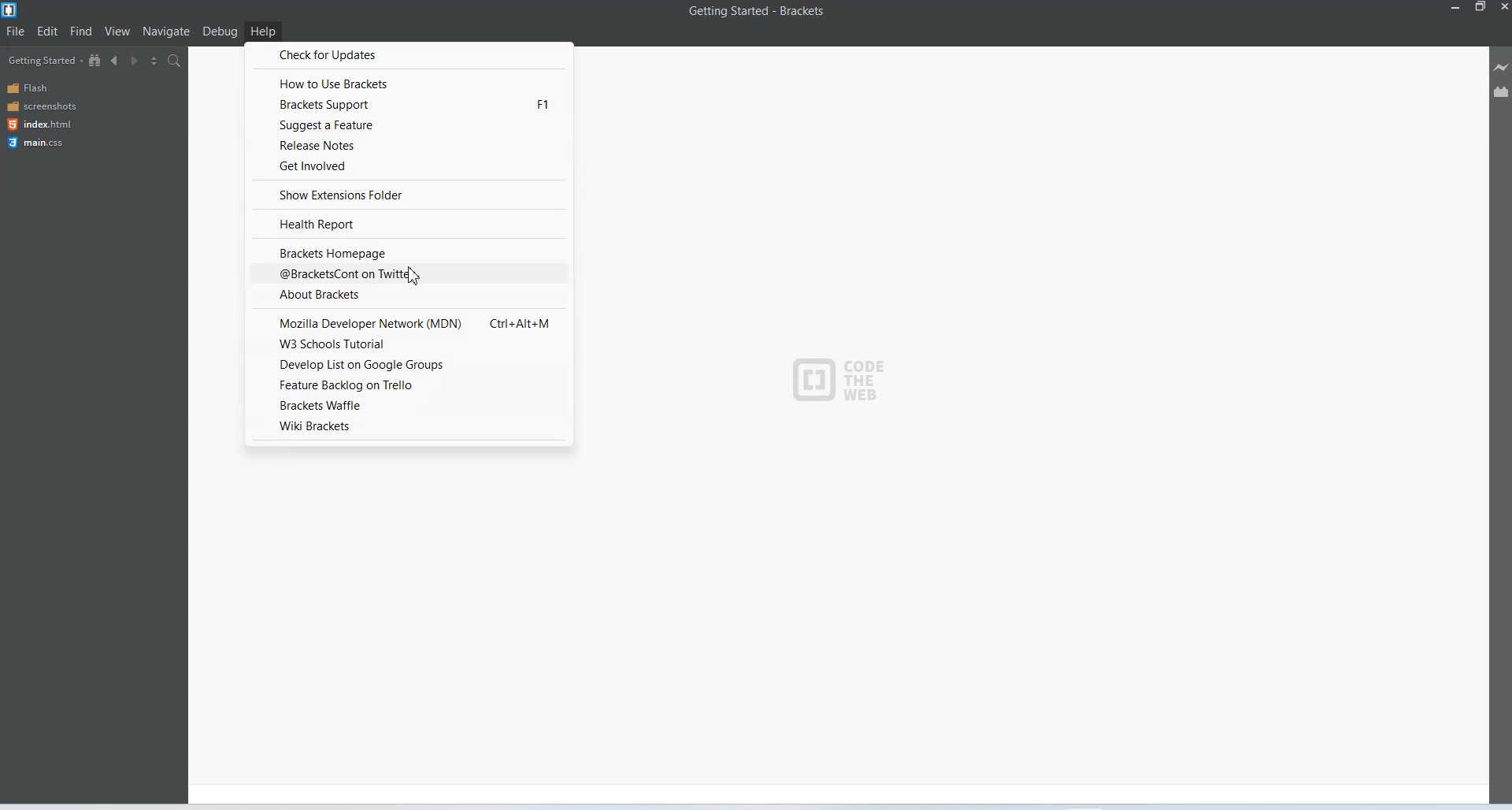 The height and width of the screenshot is (810, 1512). Describe the element at coordinates (43, 61) in the screenshot. I see `Getting Started` at that location.